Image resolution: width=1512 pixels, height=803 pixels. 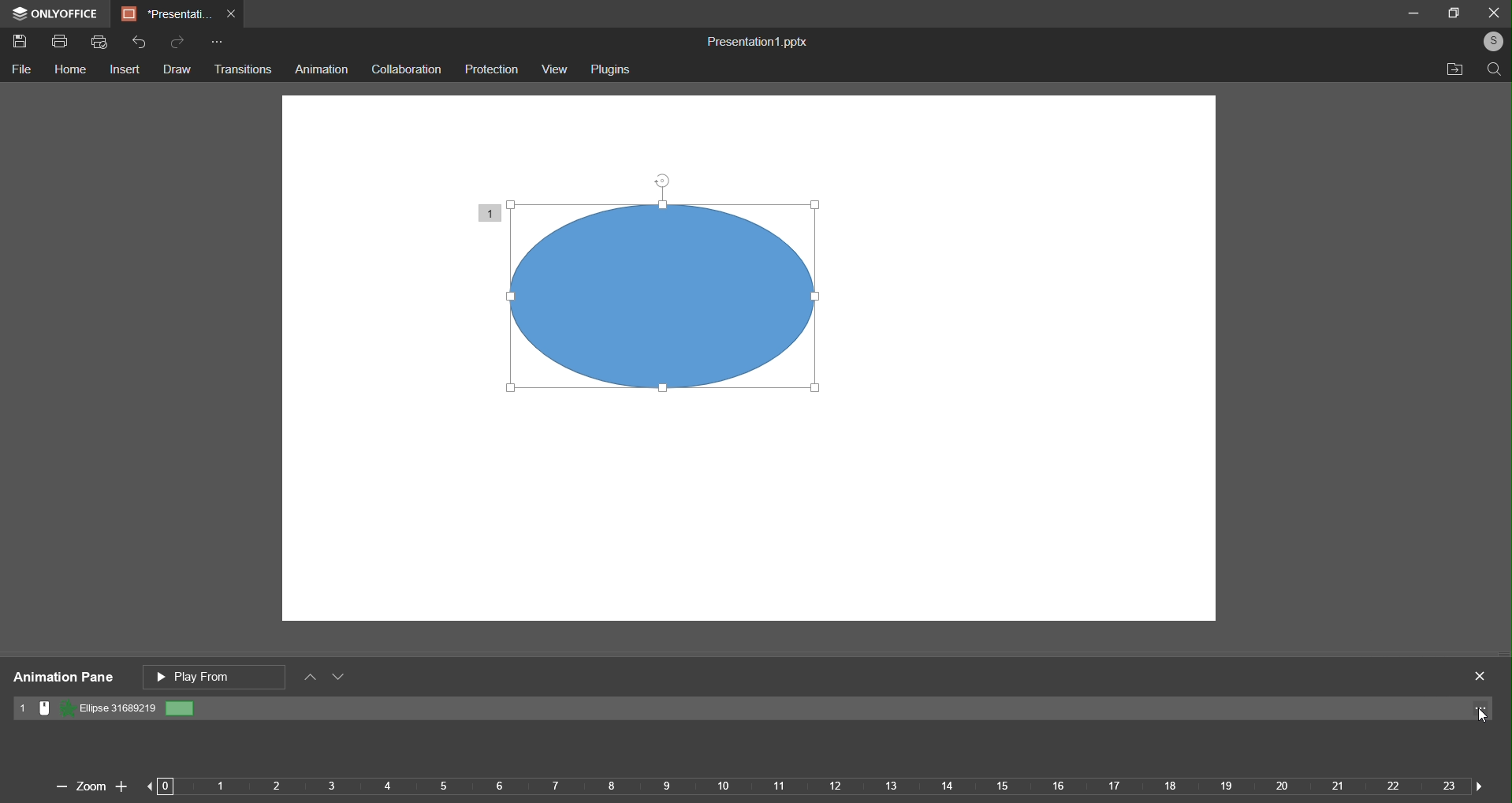 What do you see at coordinates (1475, 784) in the screenshot?
I see `next` at bounding box center [1475, 784].